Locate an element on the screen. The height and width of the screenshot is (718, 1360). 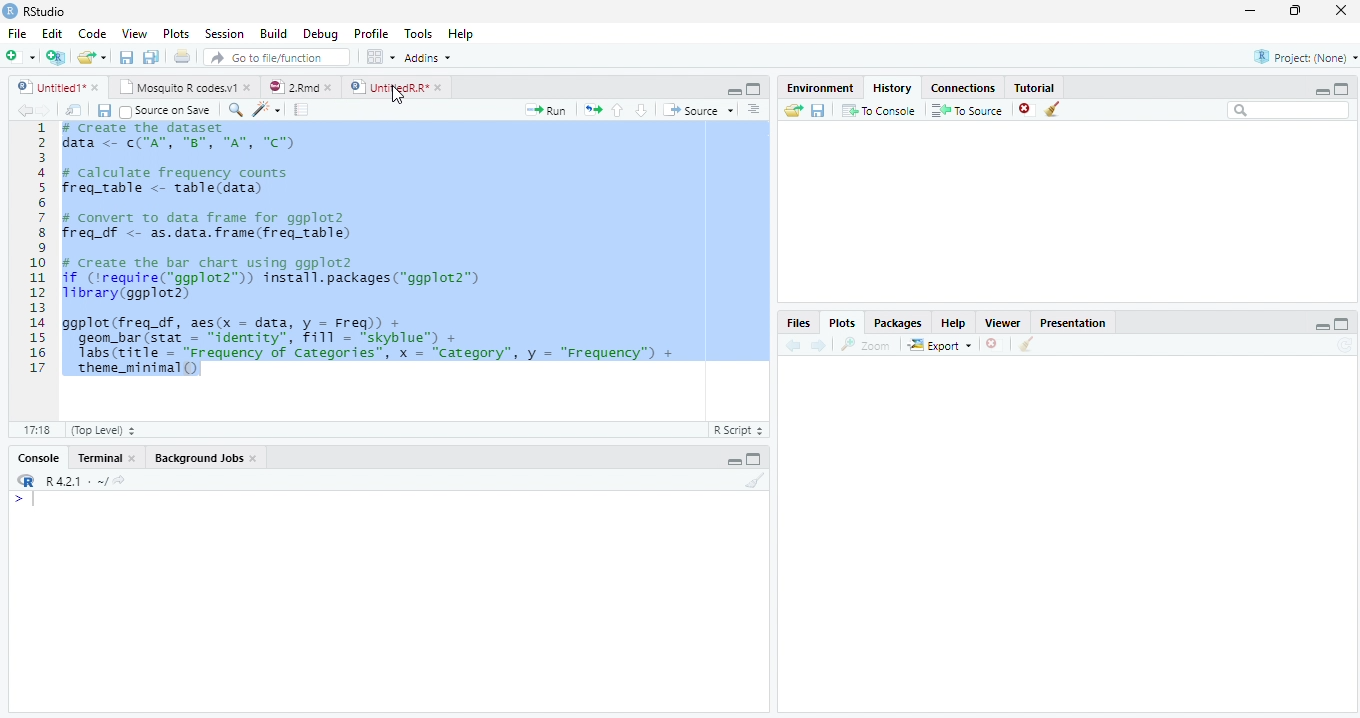
Connections is located at coordinates (961, 88).